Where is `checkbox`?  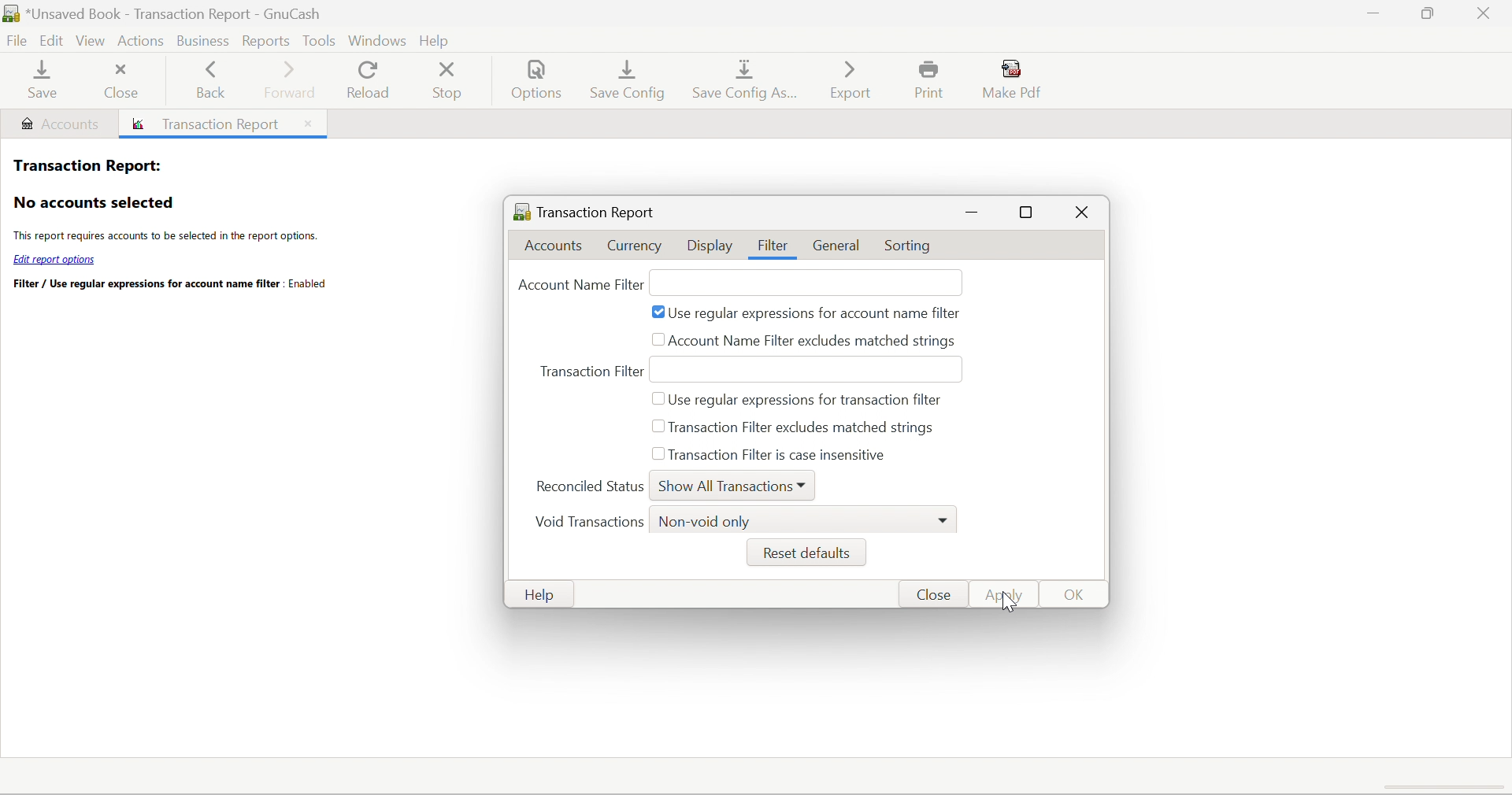 checkbox is located at coordinates (660, 429).